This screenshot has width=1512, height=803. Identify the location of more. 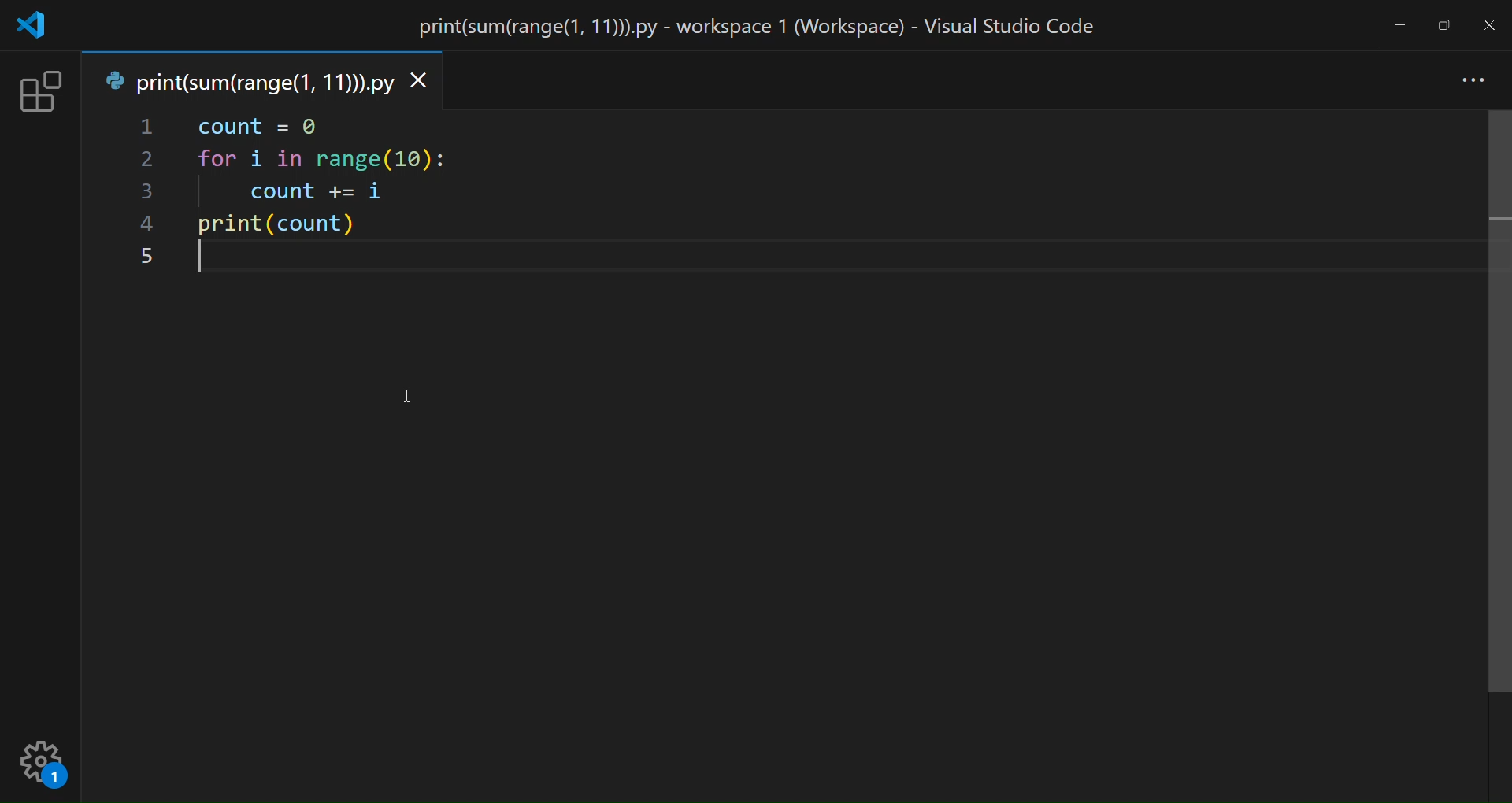
(1475, 82).